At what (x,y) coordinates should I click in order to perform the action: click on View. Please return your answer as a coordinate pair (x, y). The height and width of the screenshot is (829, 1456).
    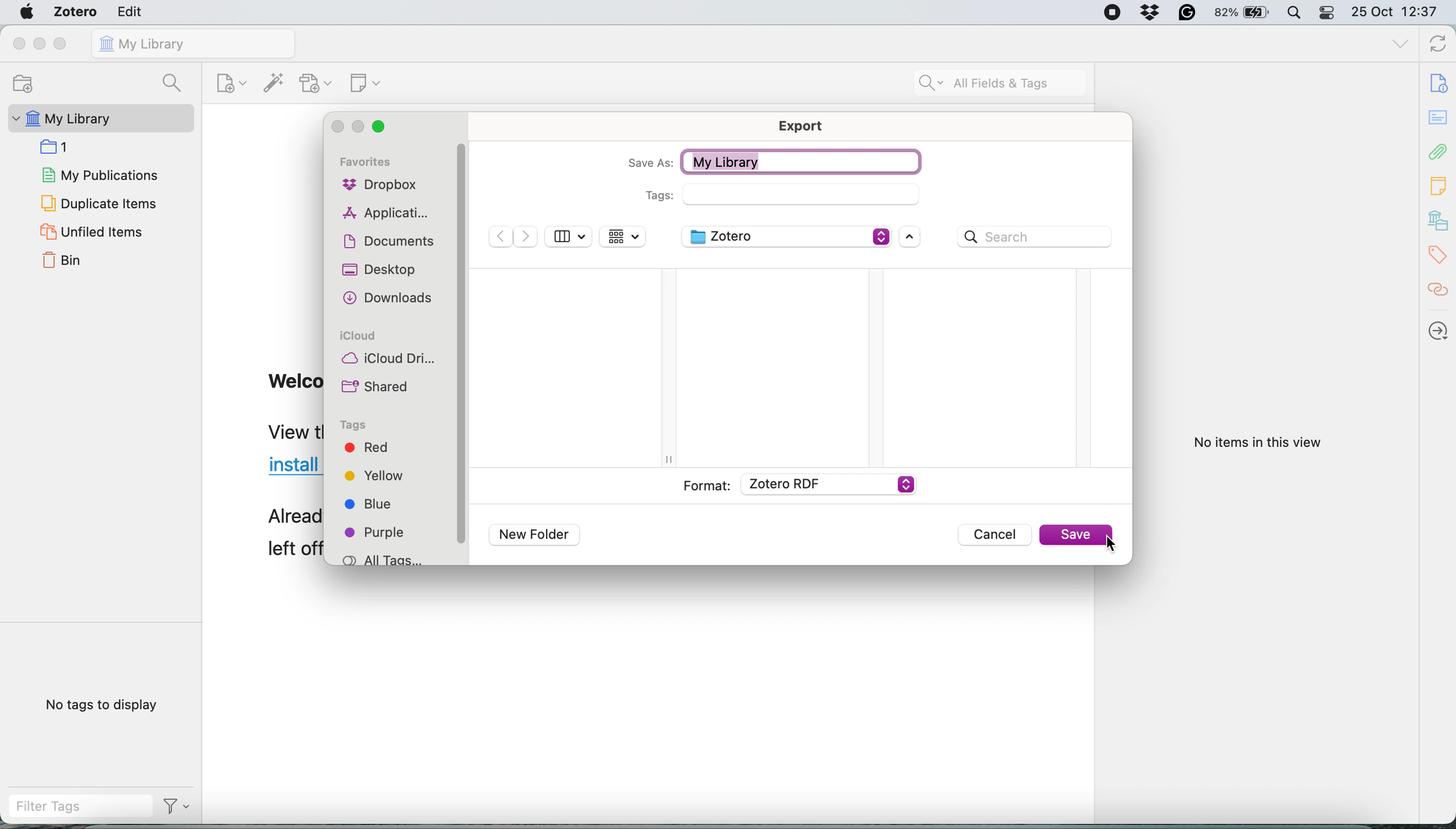
    Looking at the image, I should click on (622, 236).